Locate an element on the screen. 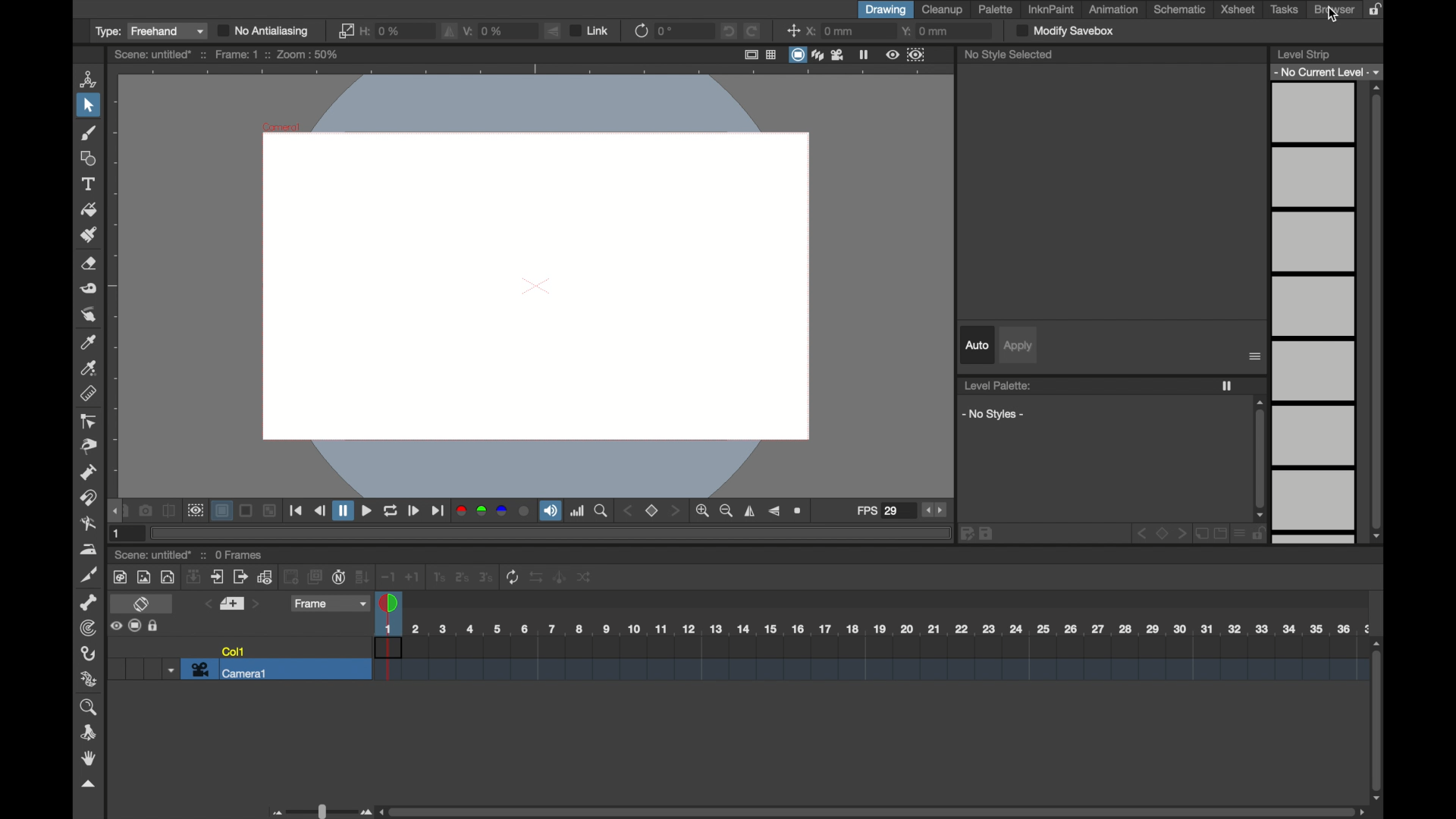  redo is located at coordinates (753, 30).